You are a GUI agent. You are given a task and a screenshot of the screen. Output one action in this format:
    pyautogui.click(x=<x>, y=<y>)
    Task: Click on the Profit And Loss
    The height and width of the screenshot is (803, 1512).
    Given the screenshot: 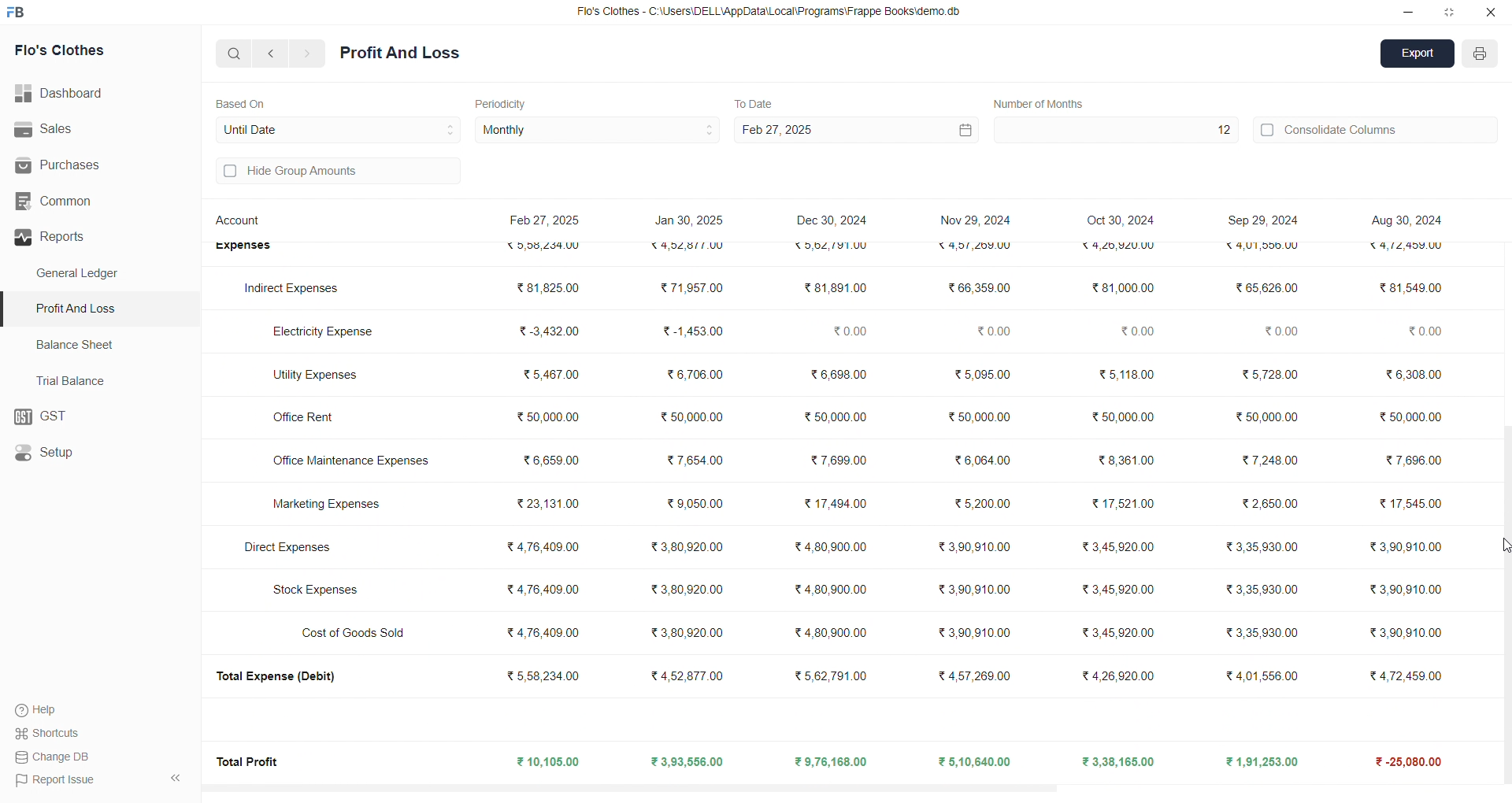 What is the action you would take?
    pyautogui.click(x=400, y=54)
    